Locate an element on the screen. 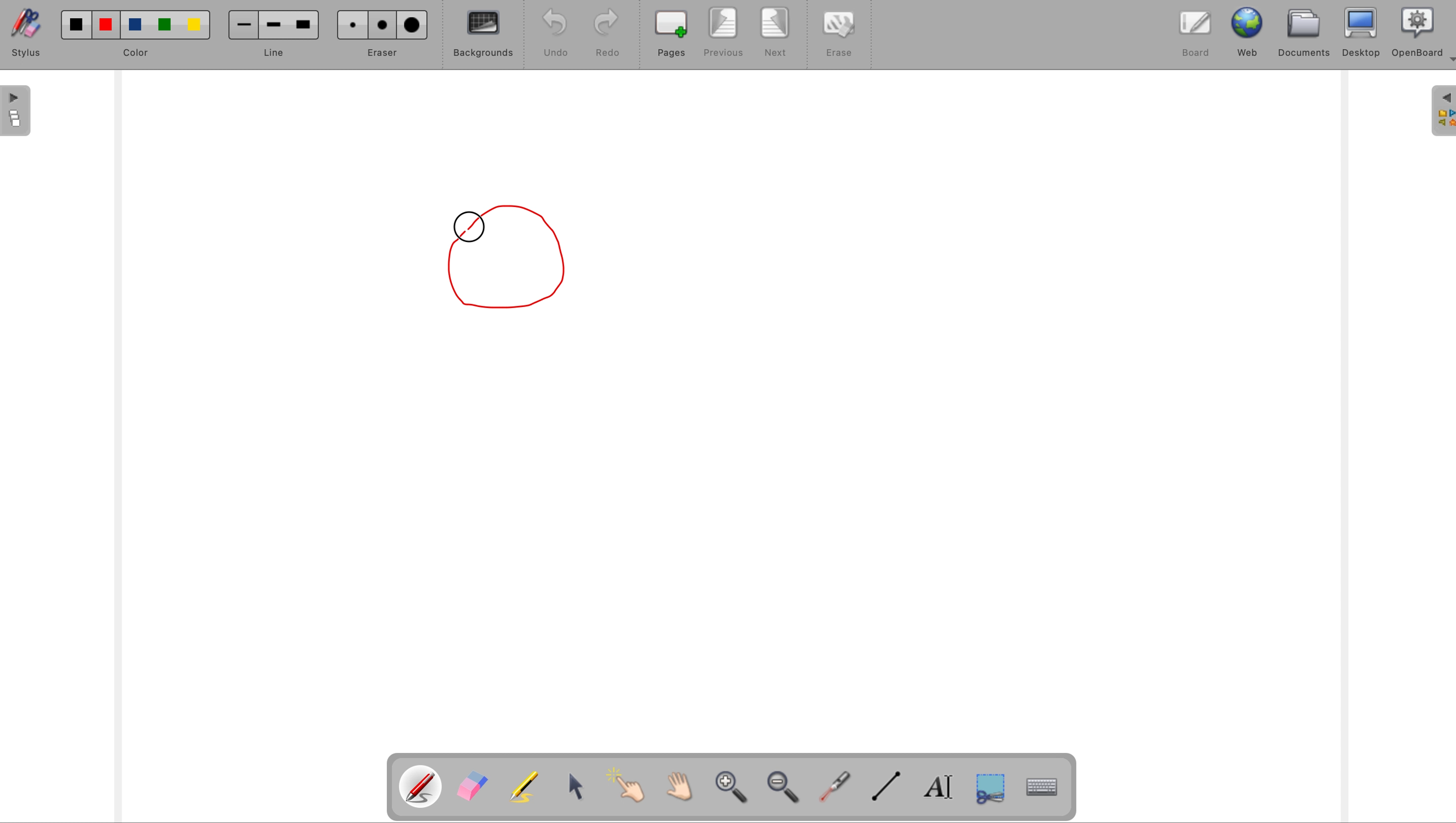 This screenshot has height=823, width=1456. write text is located at coordinates (941, 790).